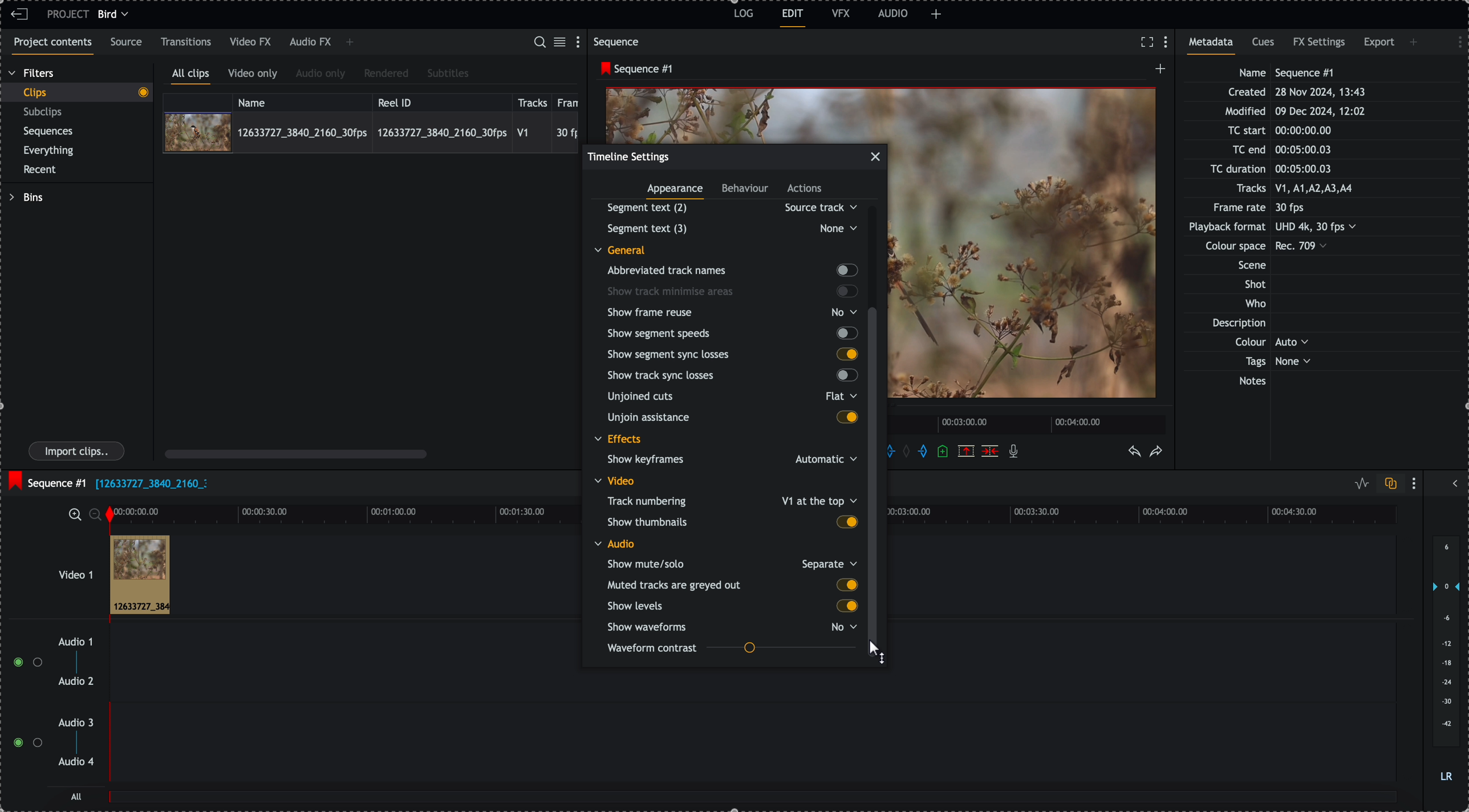 Image resolution: width=1469 pixels, height=812 pixels. Describe the element at coordinates (1417, 483) in the screenshot. I see `show settings menu` at that location.